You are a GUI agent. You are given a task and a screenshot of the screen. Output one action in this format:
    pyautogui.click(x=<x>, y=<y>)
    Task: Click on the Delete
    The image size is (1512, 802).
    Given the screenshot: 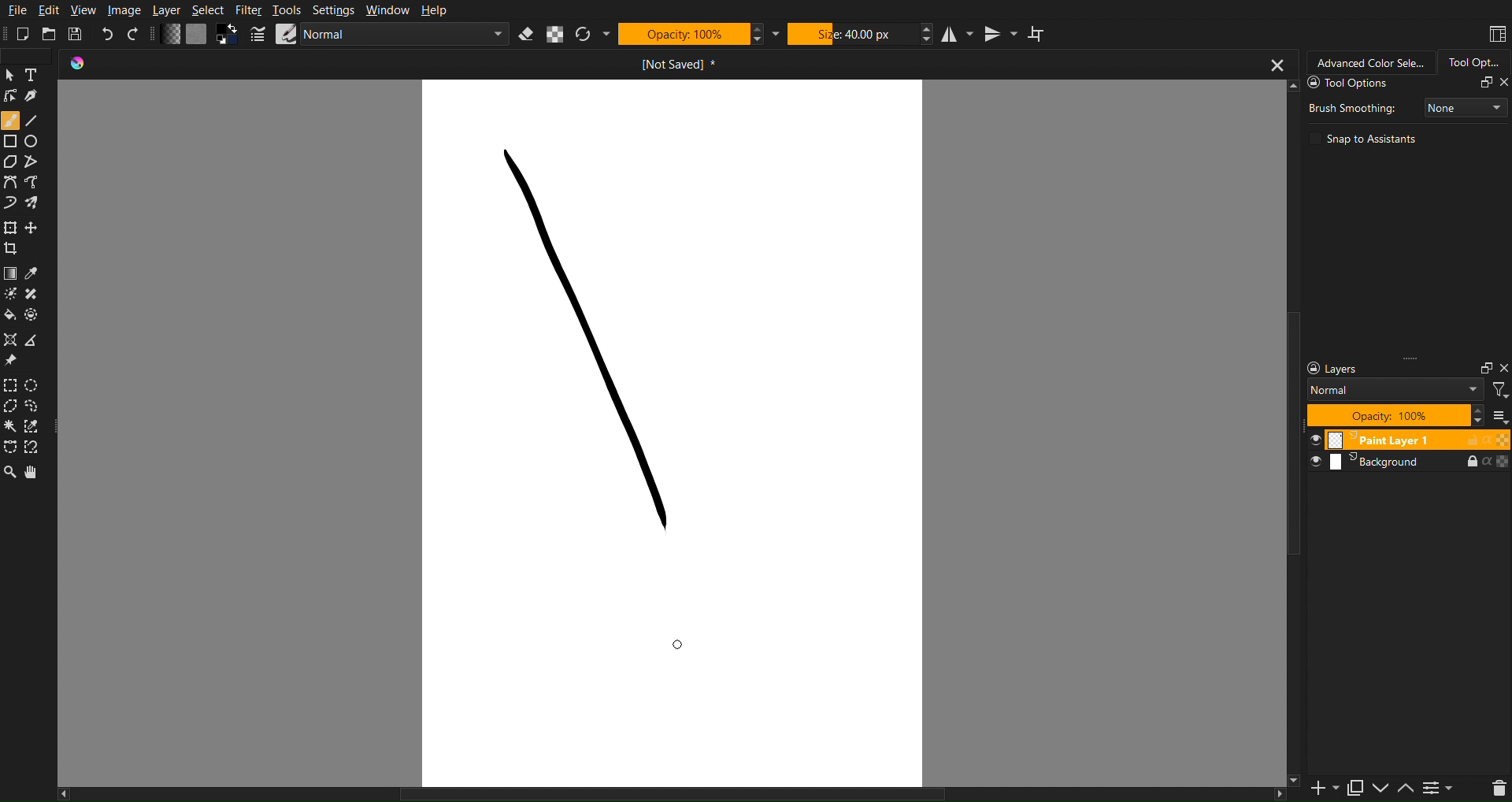 What is the action you would take?
    pyautogui.click(x=1494, y=789)
    